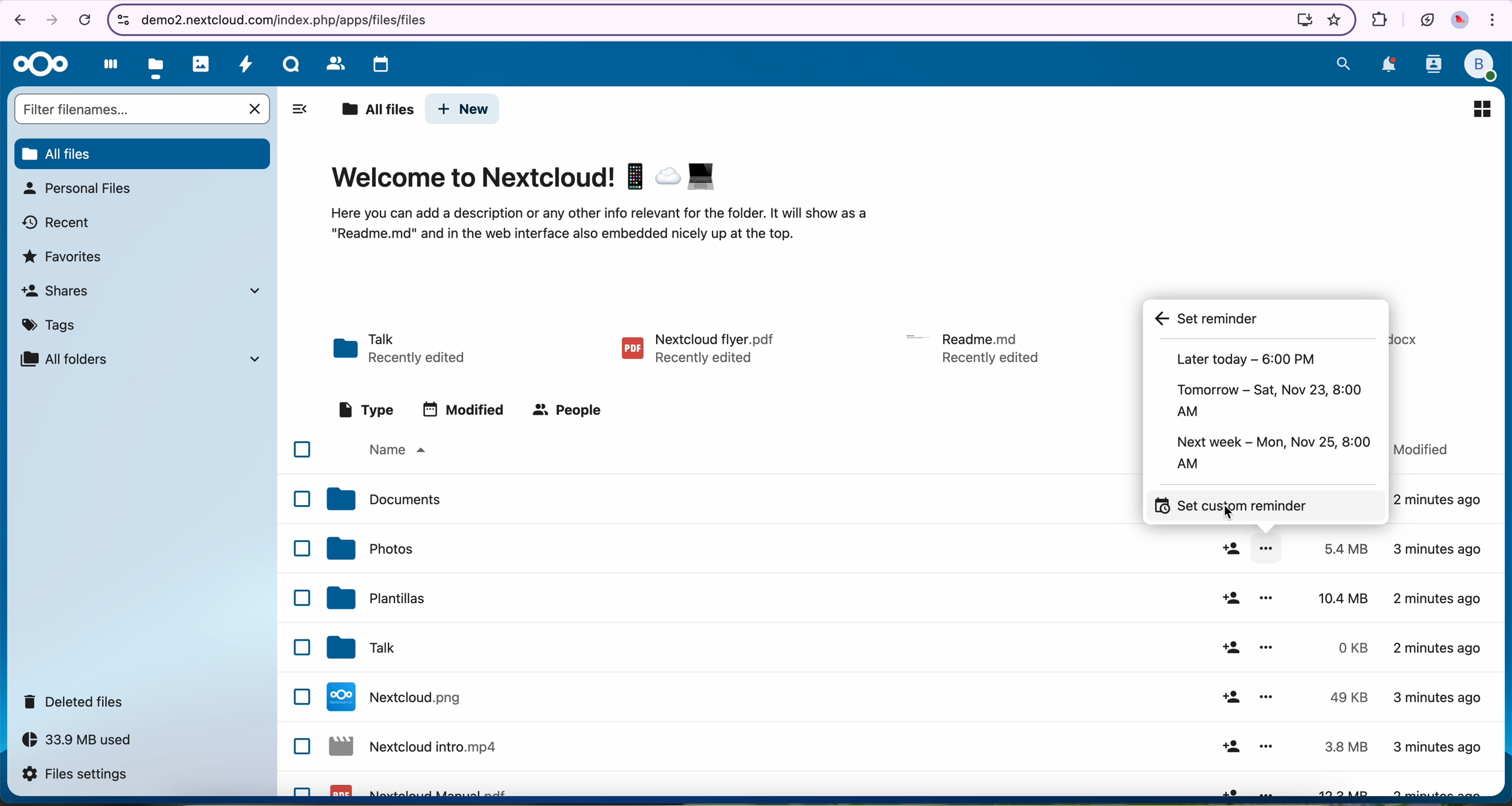  I want to click on install Nextcloud, so click(1300, 21).